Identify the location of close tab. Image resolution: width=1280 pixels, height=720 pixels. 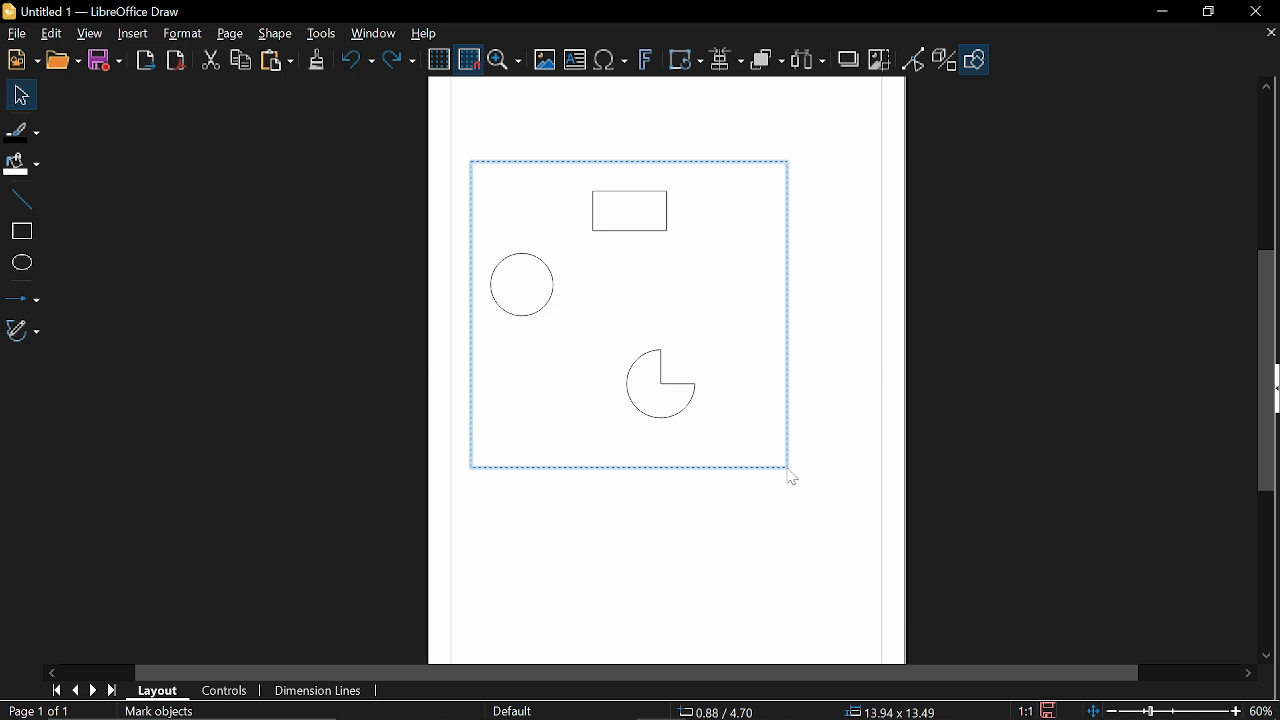
(1272, 39).